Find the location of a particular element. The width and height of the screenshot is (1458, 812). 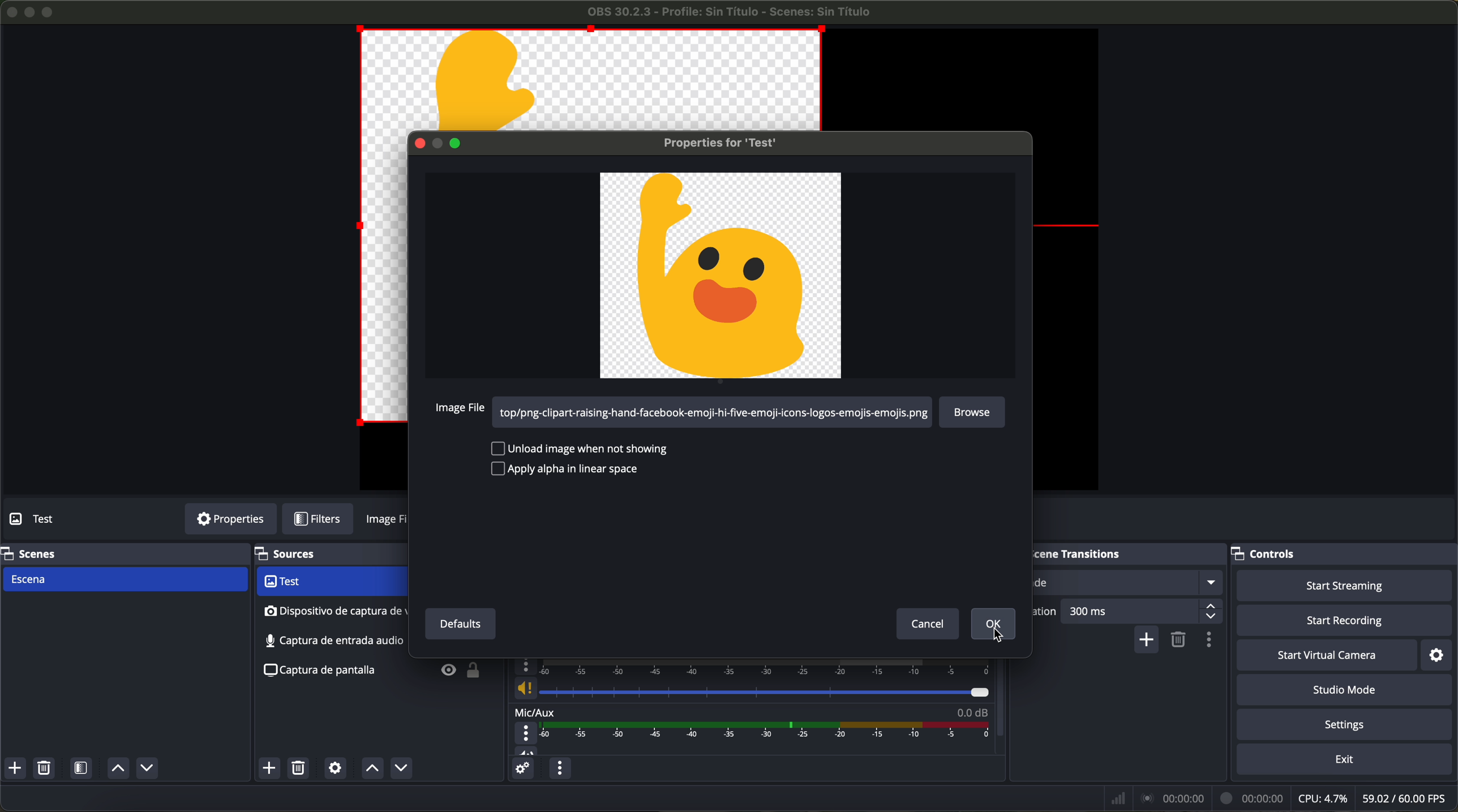

mic/aux is located at coordinates (535, 711).